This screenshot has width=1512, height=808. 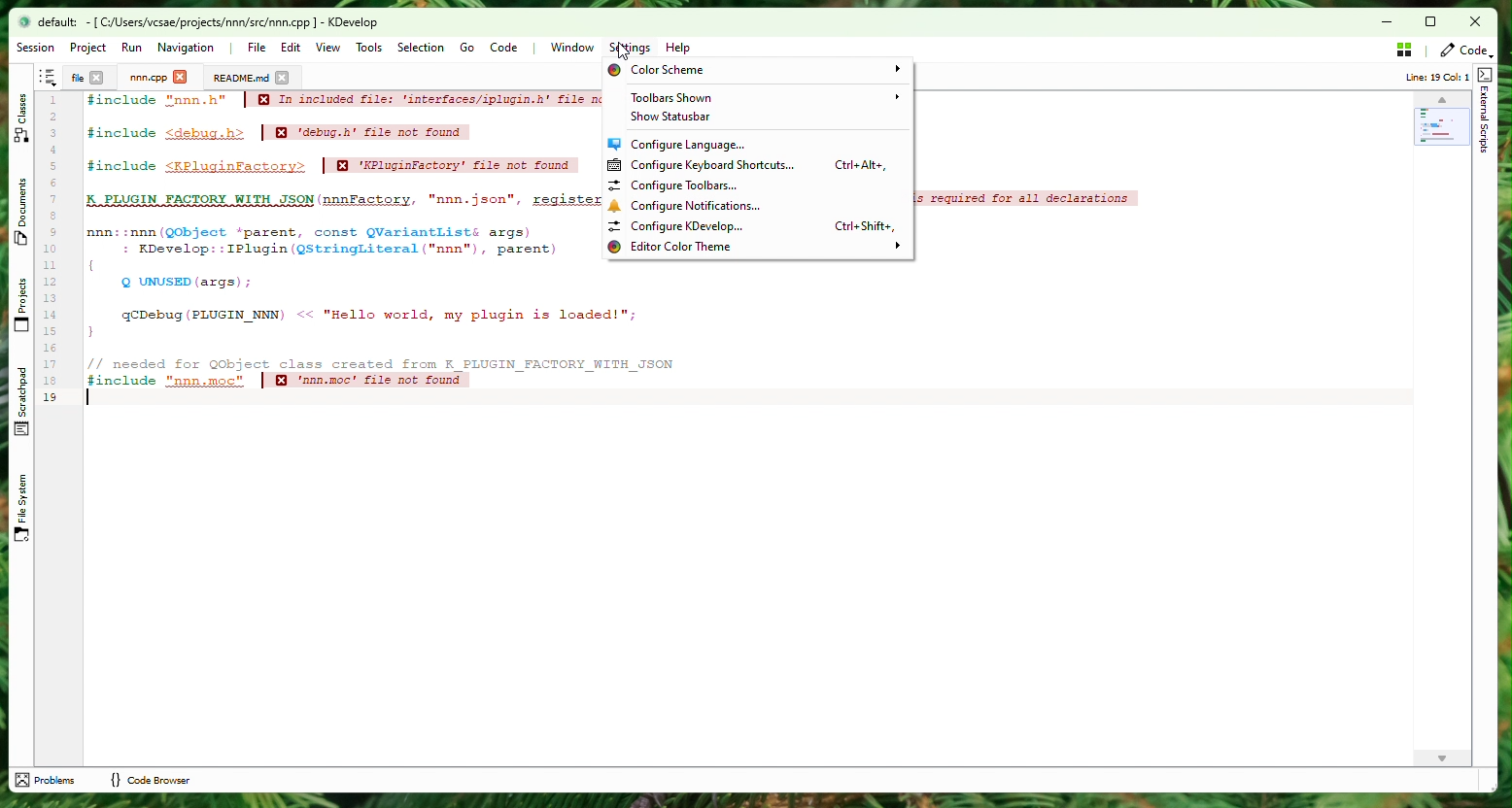 I want to click on Projects, so click(x=23, y=307).